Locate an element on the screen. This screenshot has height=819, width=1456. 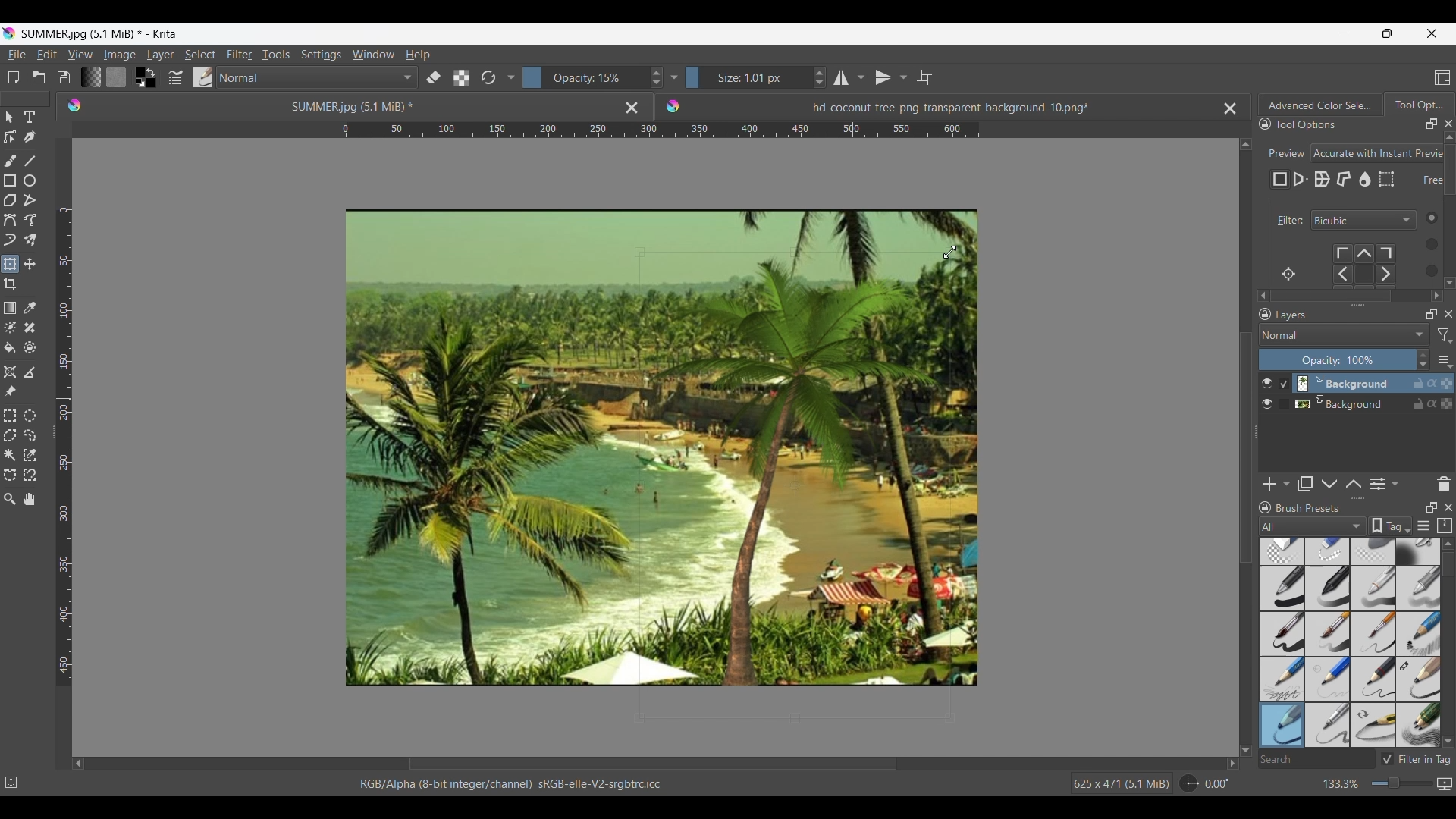
pencil 1-sketch is located at coordinates (1419, 634).